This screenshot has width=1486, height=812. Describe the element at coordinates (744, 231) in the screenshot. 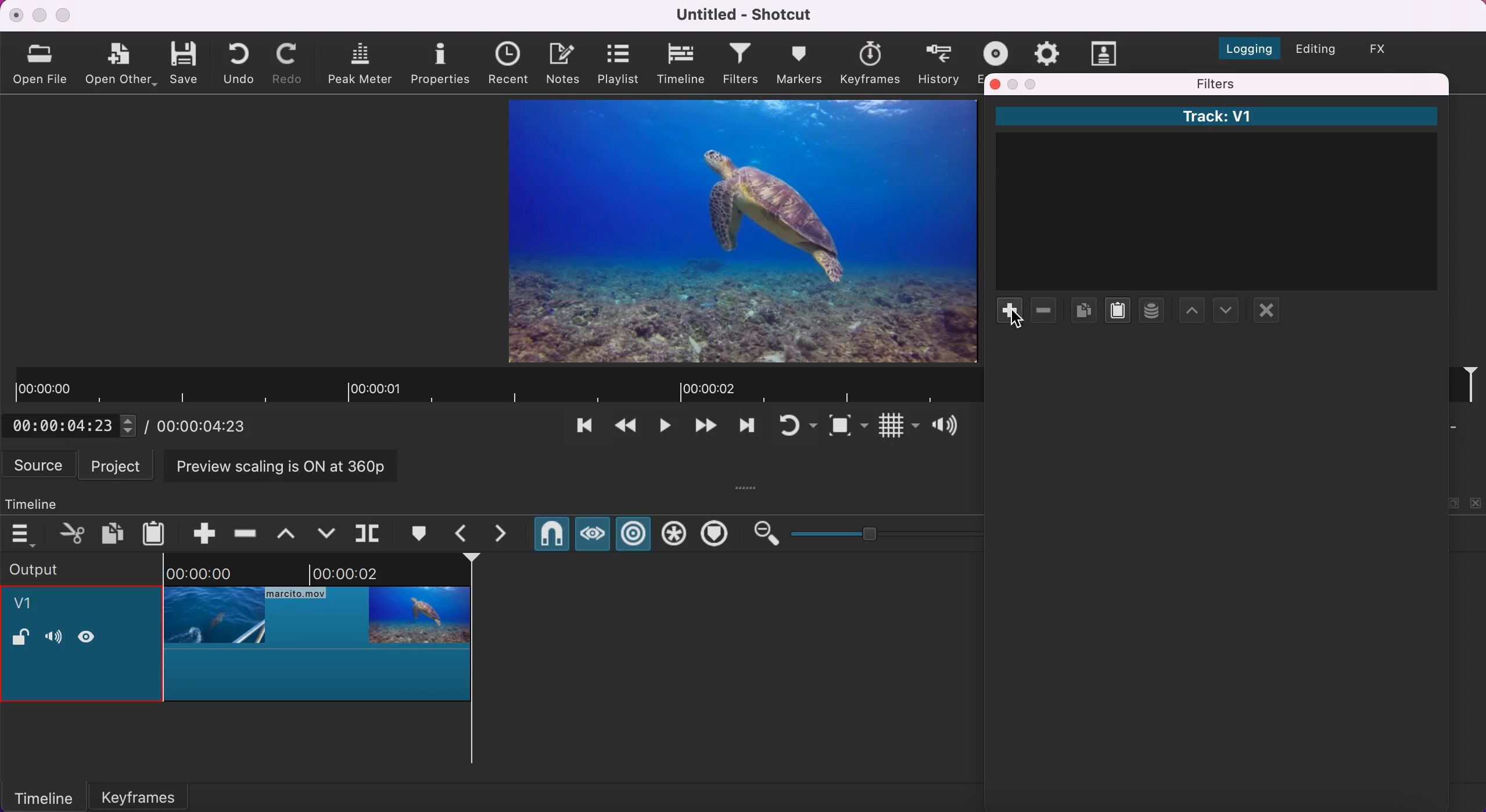

I see `clip` at that location.